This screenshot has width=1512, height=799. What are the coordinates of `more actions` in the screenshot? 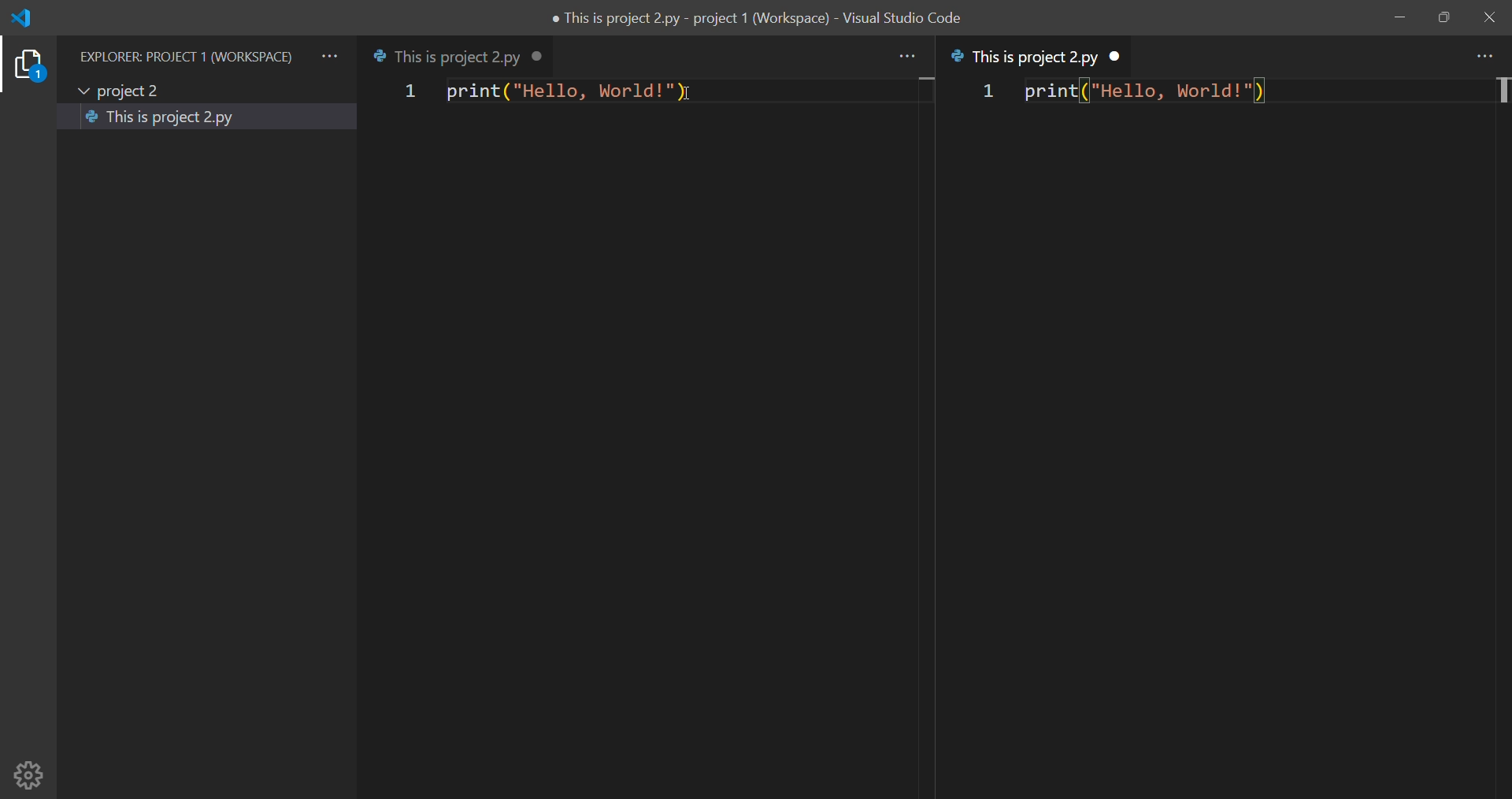 It's located at (1484, 58).